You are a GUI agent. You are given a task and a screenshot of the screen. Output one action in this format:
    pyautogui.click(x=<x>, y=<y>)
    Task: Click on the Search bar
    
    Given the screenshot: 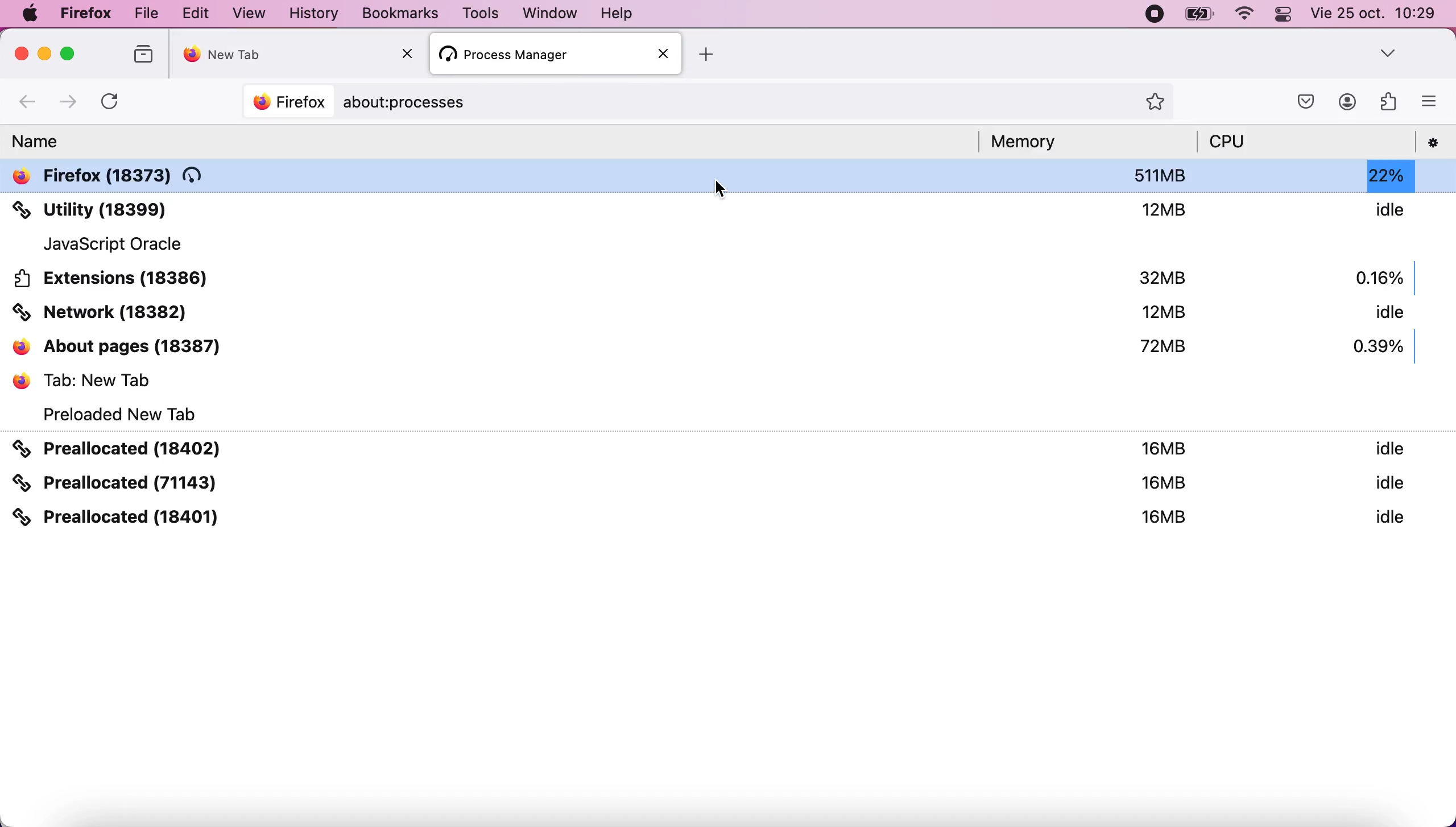 What is the action you would take?
    pyautogui.click(x=707, y=104)
    